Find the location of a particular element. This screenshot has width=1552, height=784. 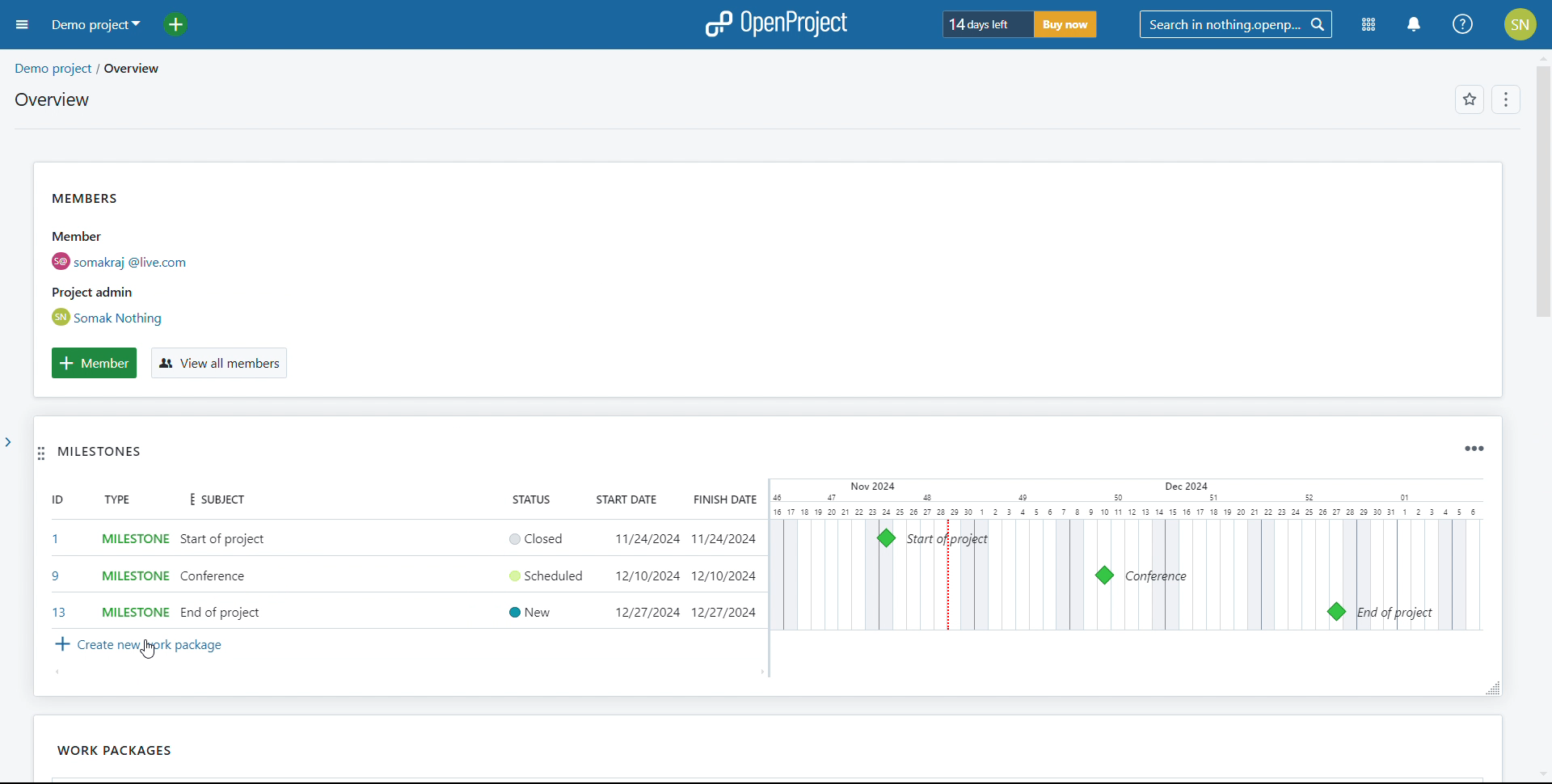

add member is located at coordinates (94, 363).